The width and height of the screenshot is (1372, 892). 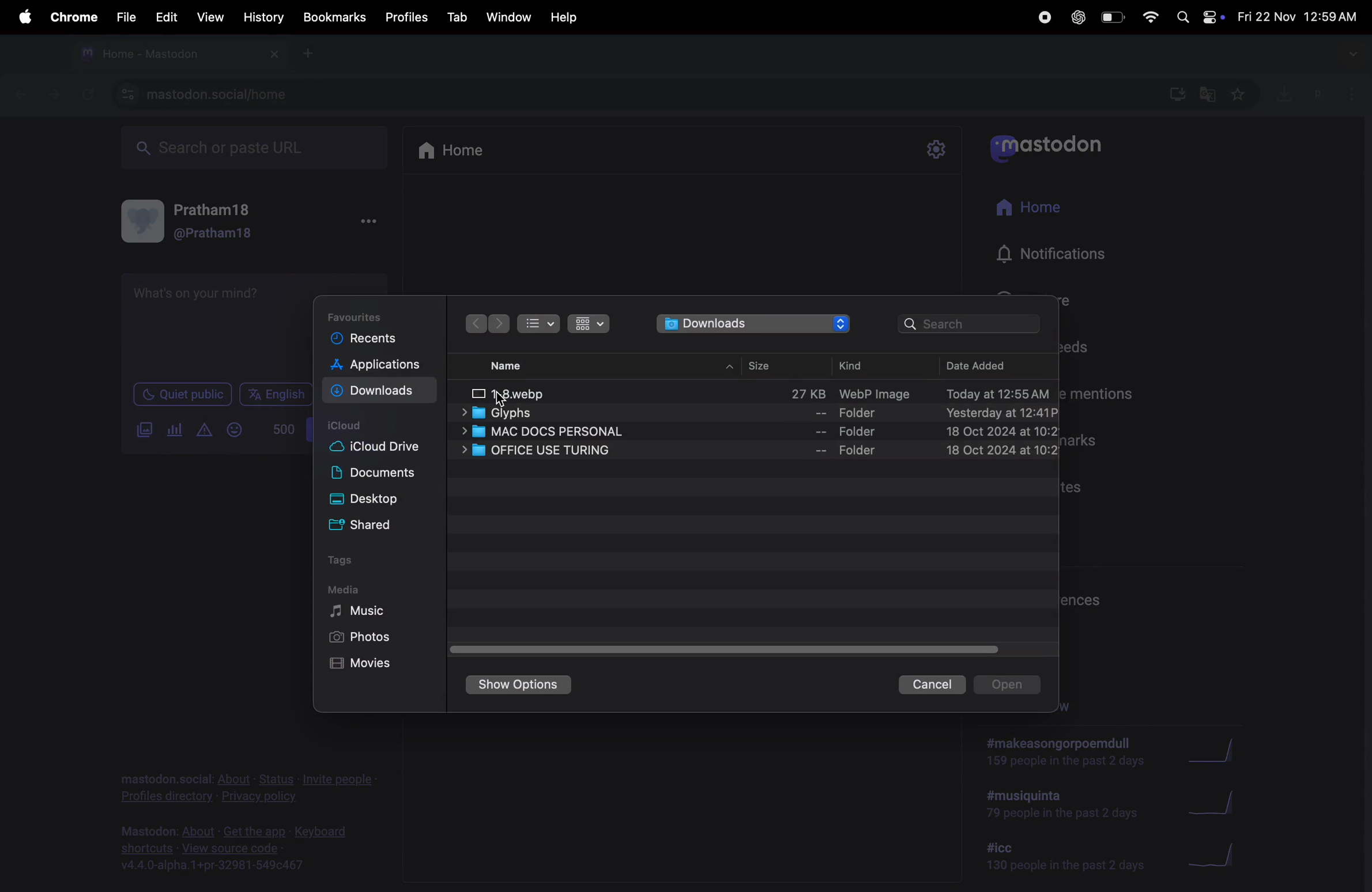 I want to click on searchbox, so click(x=263, y=149).